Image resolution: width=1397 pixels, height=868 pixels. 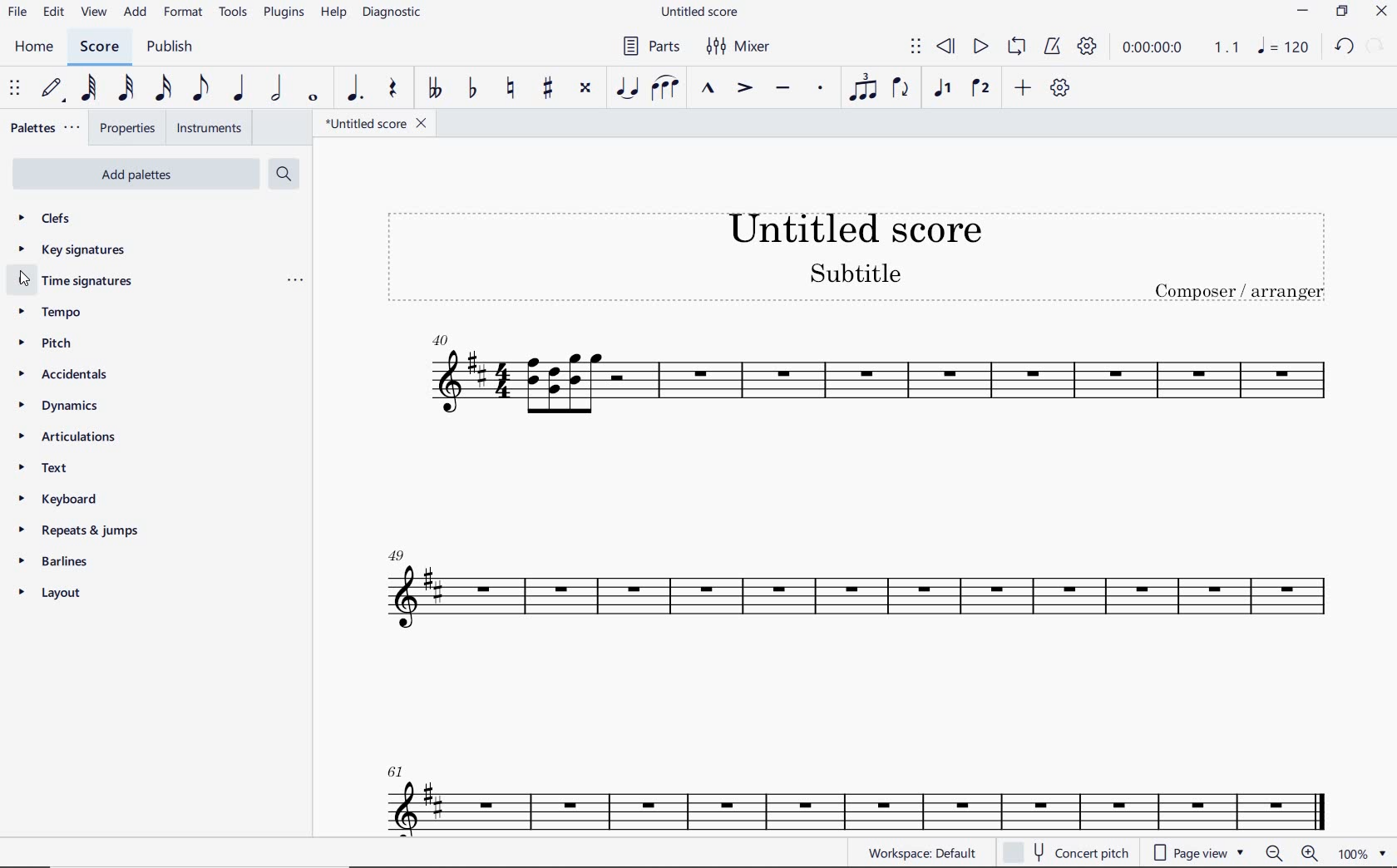 I want to click on TENUTO, so click(x=782, y=89).